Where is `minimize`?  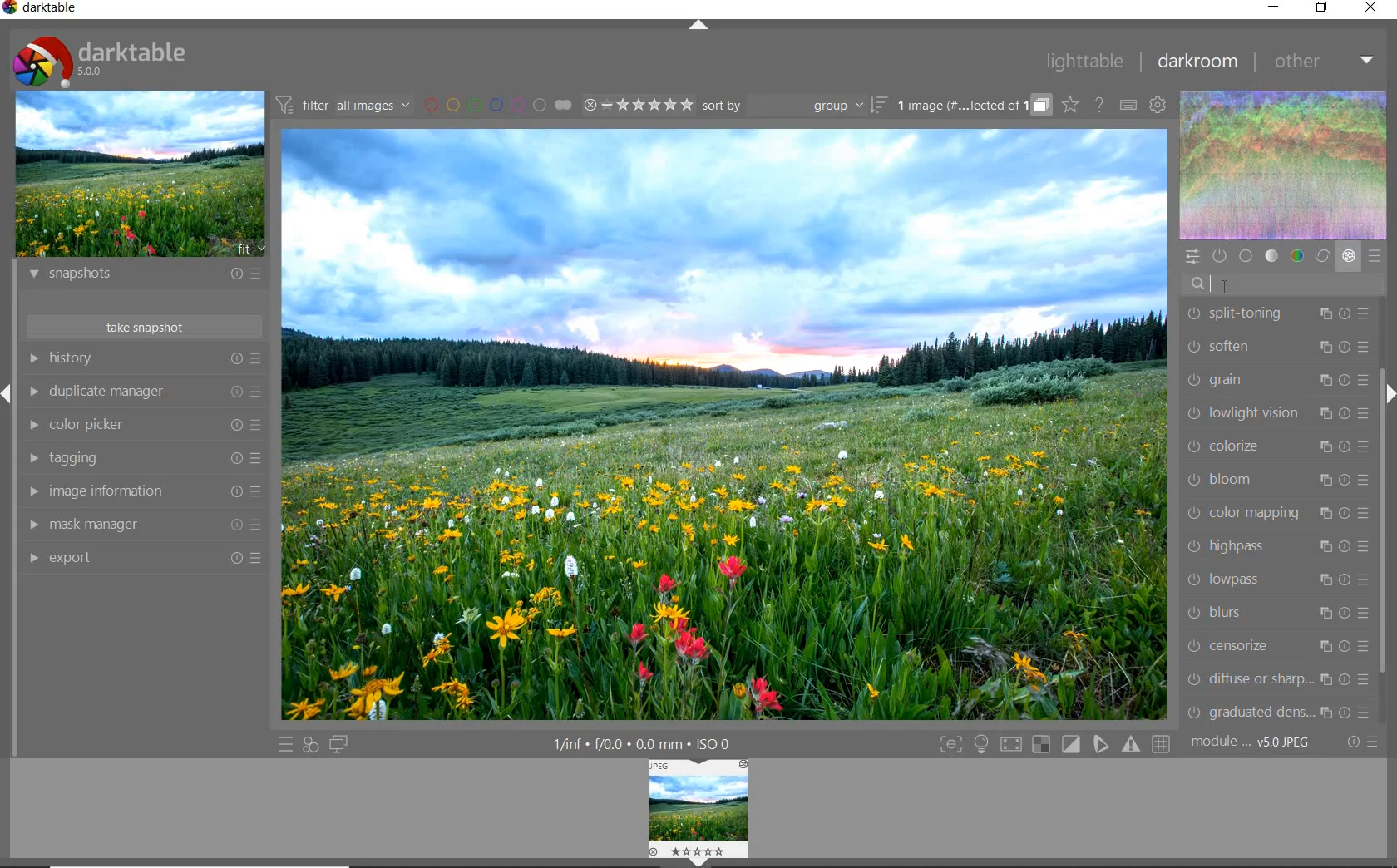 minimize is located at coordinates (1276, 8).